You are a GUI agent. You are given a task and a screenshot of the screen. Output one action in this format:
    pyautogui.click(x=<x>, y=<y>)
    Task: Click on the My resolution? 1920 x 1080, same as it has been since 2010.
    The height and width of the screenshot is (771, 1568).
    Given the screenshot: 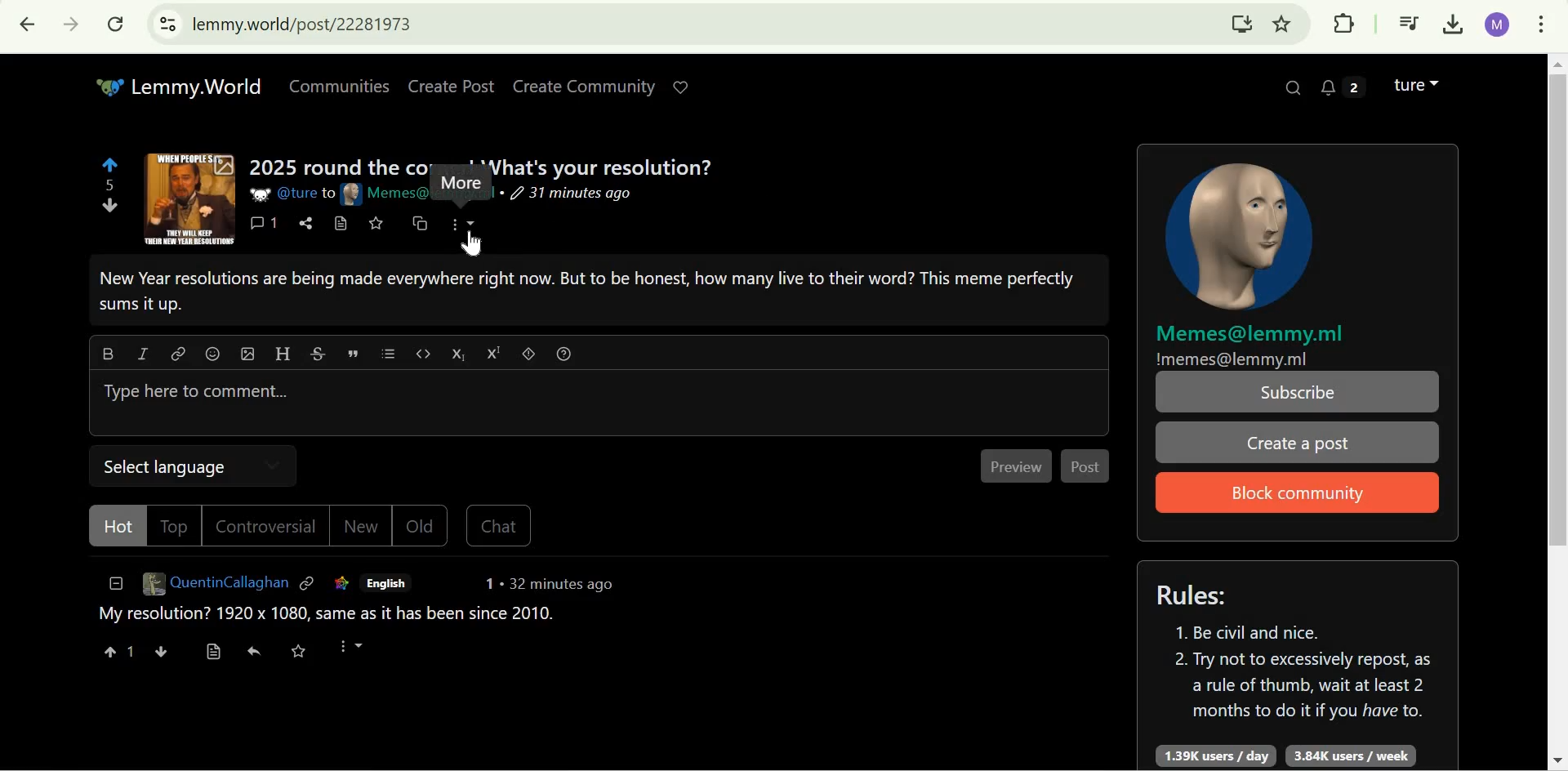 What is the action you would take?
    pyautogui.click(x=318, y=615)
    